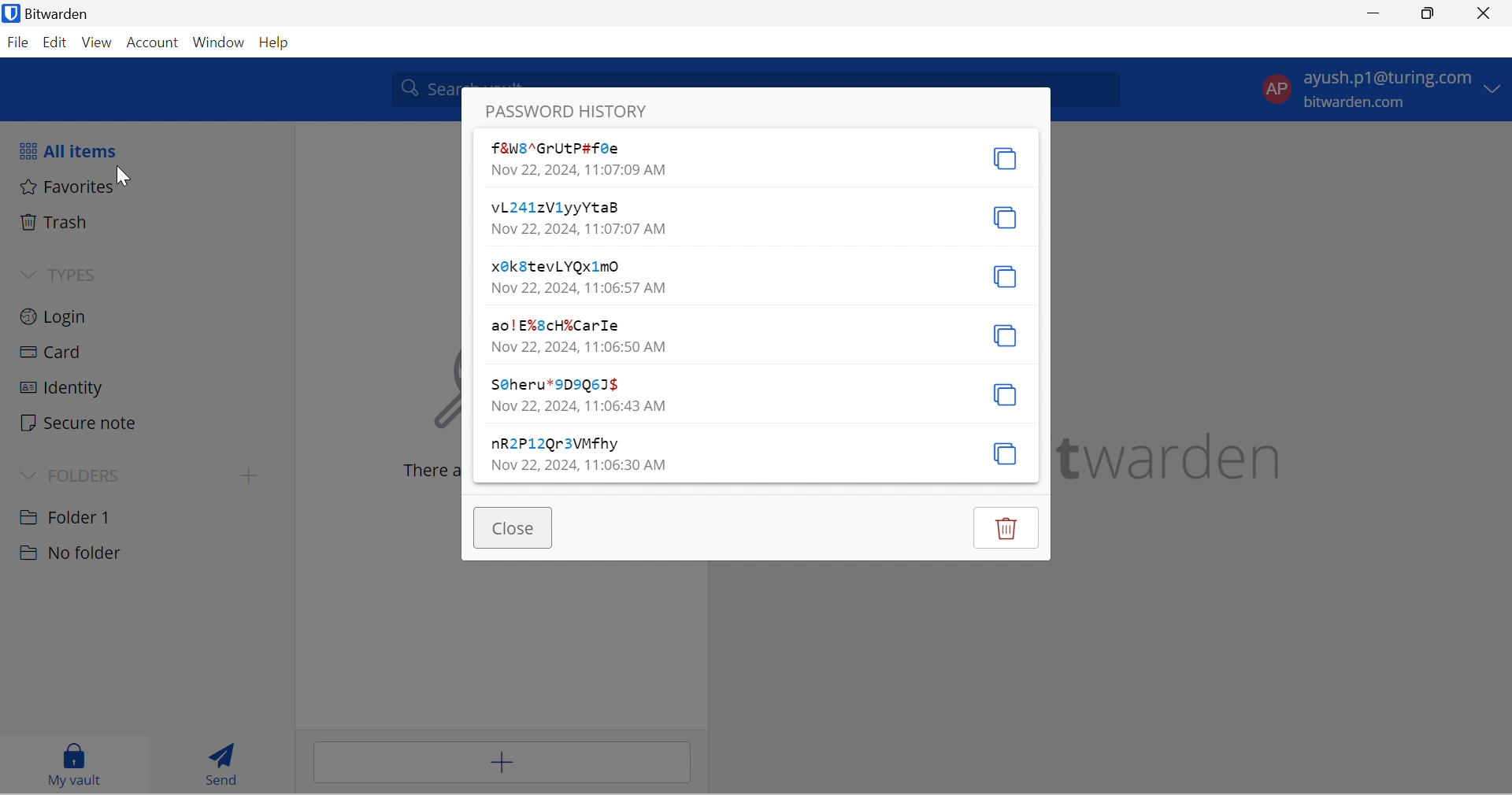 This screenshot has height=795, width=1512. Describe the element at coordinates (1005, 160) in the screenshot. I see `Copy` at that location.